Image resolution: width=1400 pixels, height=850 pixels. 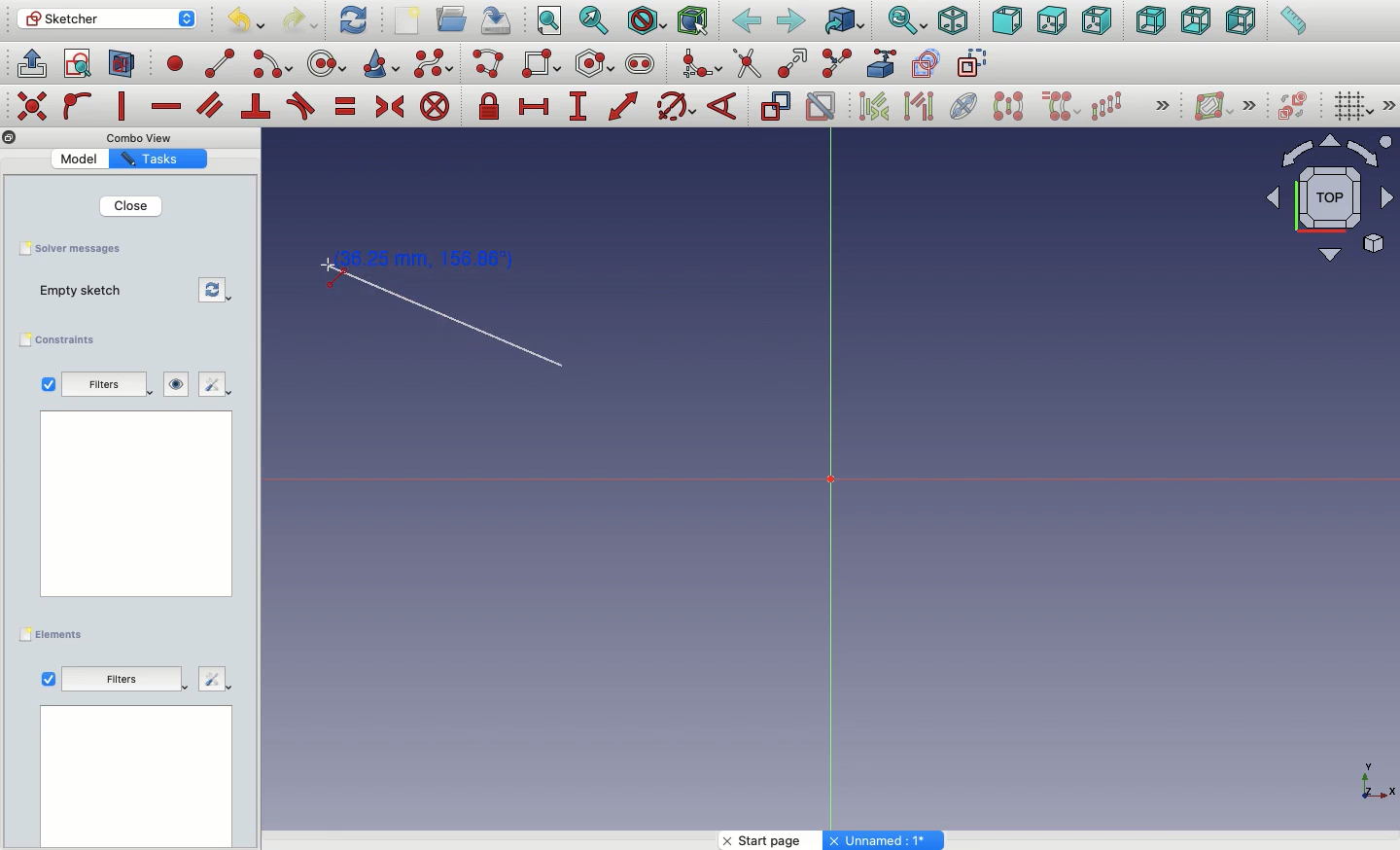 What do you see at coordinates (831, 485) in the screenshot?
I see `Axis` at bounding box center [831, 485].